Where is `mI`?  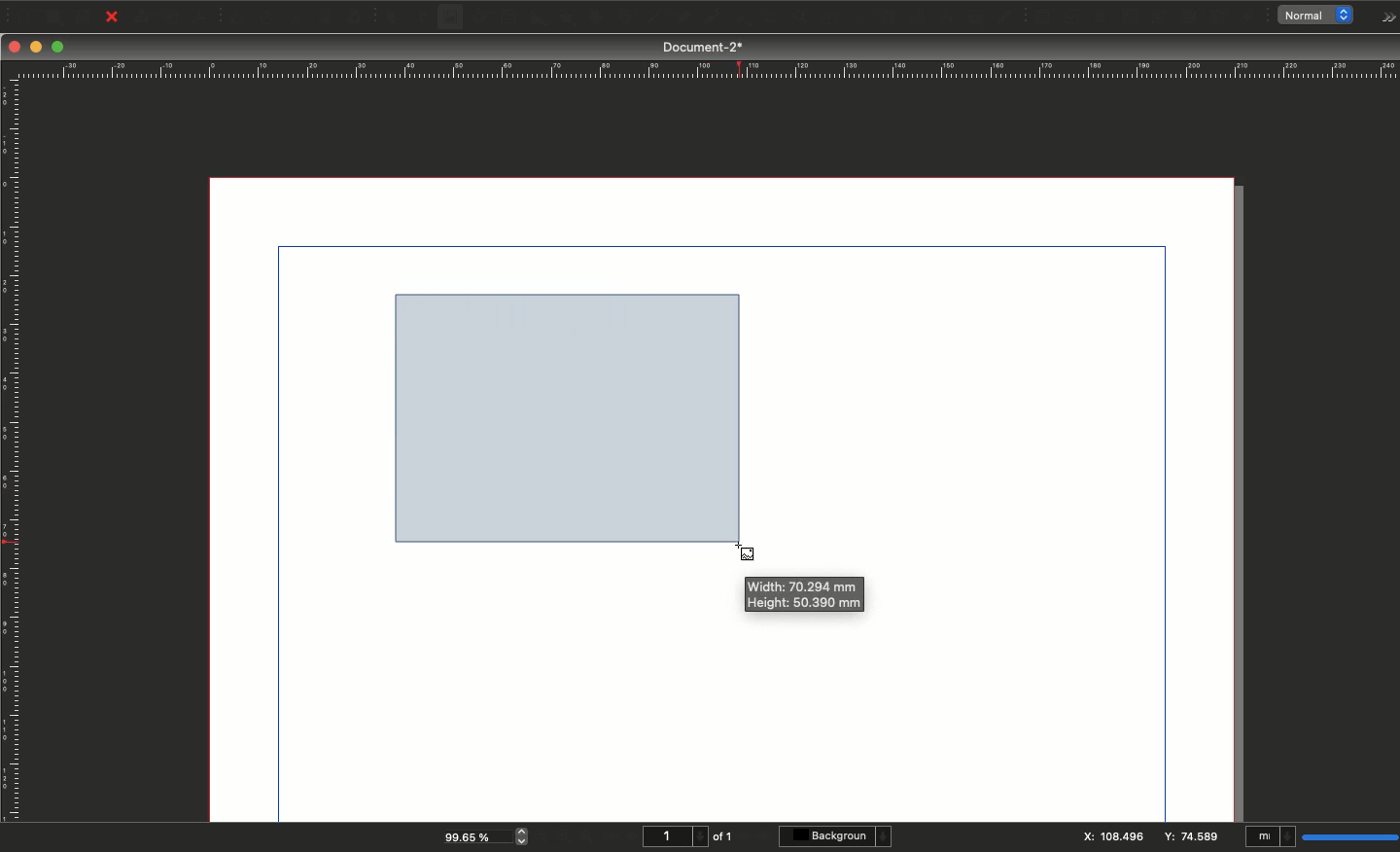 mI is located at coordinates (1271, 838).